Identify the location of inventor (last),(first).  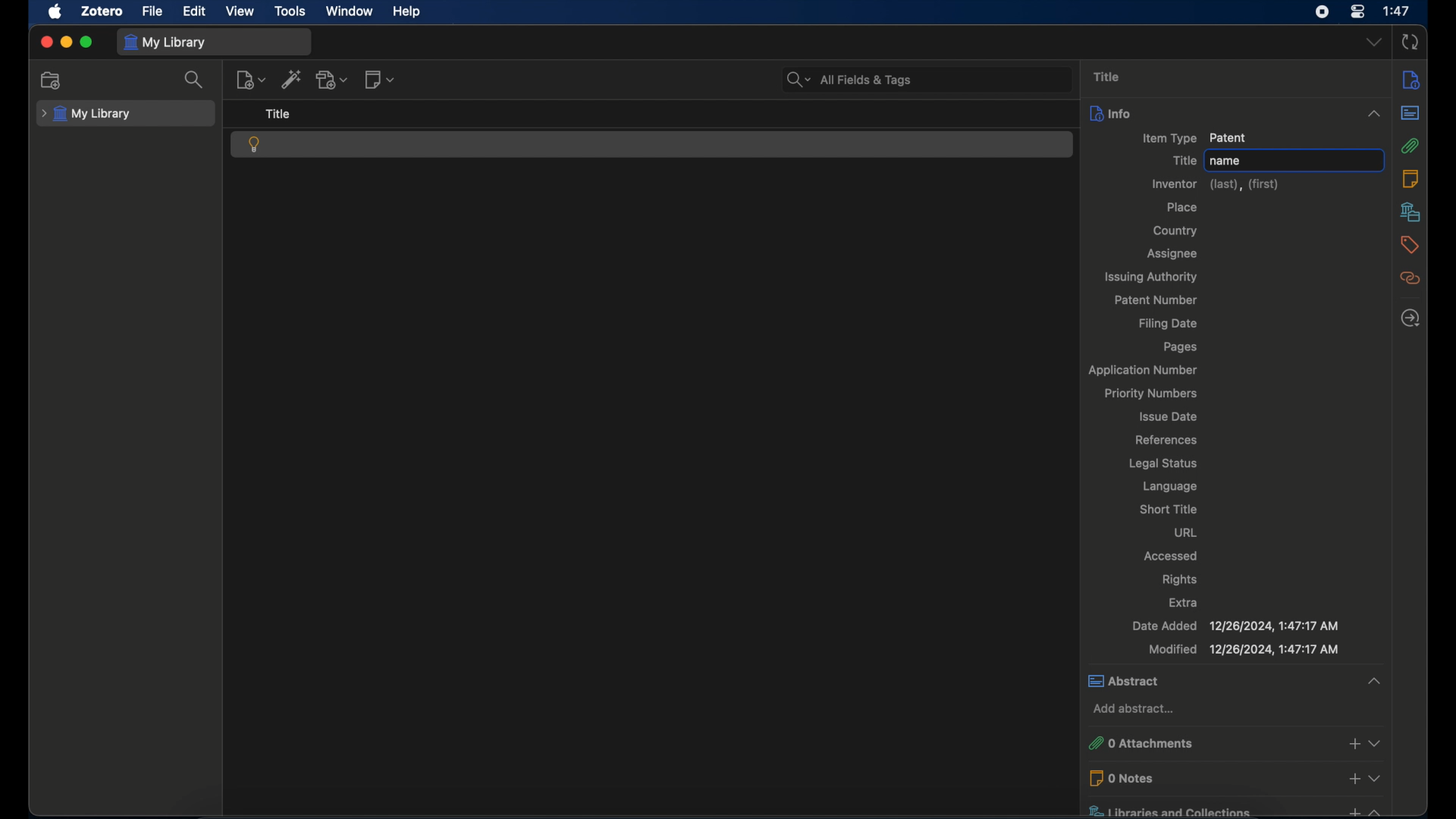
(1215, 184).